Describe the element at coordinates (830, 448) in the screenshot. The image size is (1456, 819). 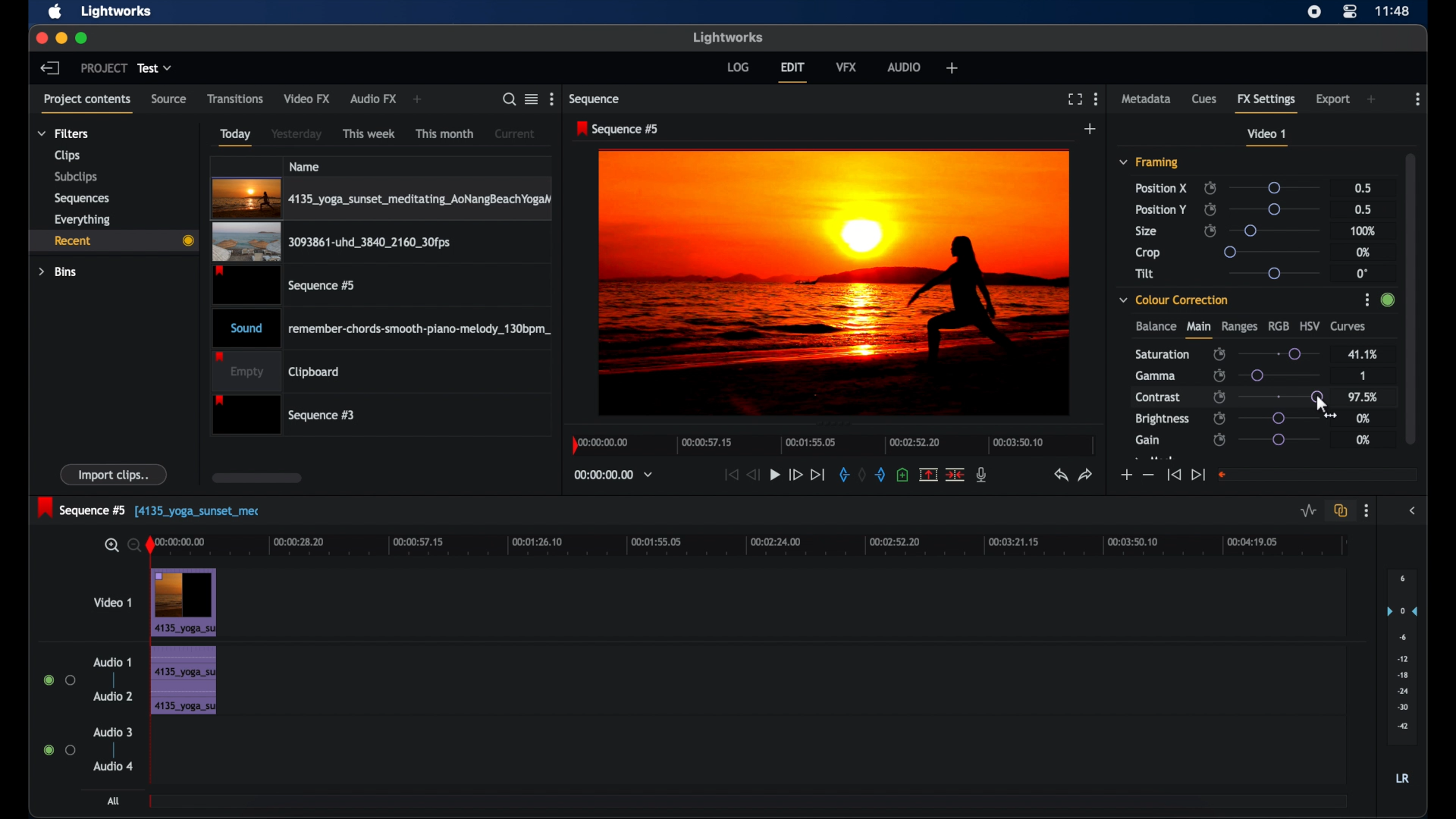
I see `timeline` at that location.